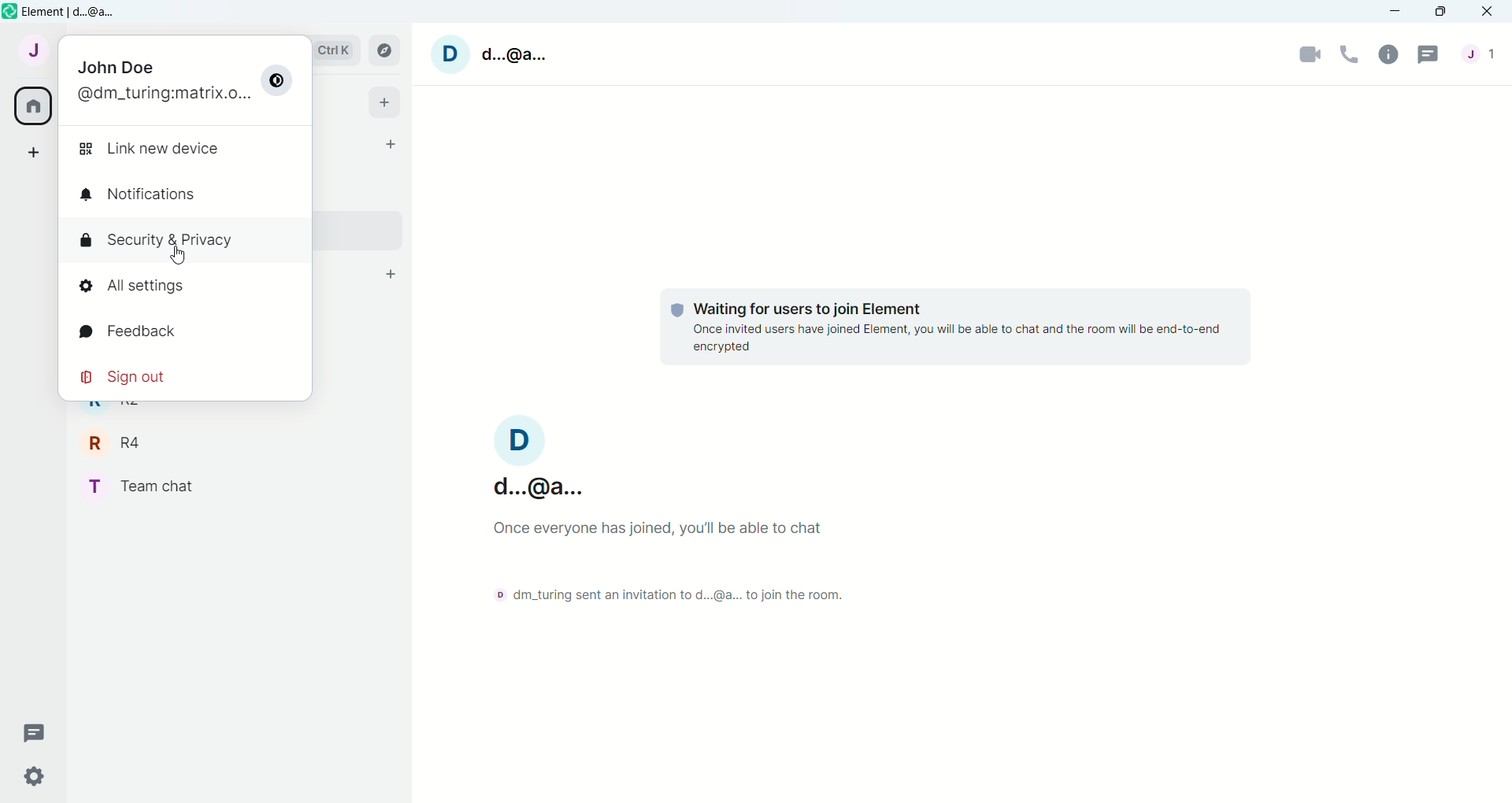  What do you see at coordinates (149, 149) in the screenshot?
I see `Link new device` at bounding box center [149, 149].